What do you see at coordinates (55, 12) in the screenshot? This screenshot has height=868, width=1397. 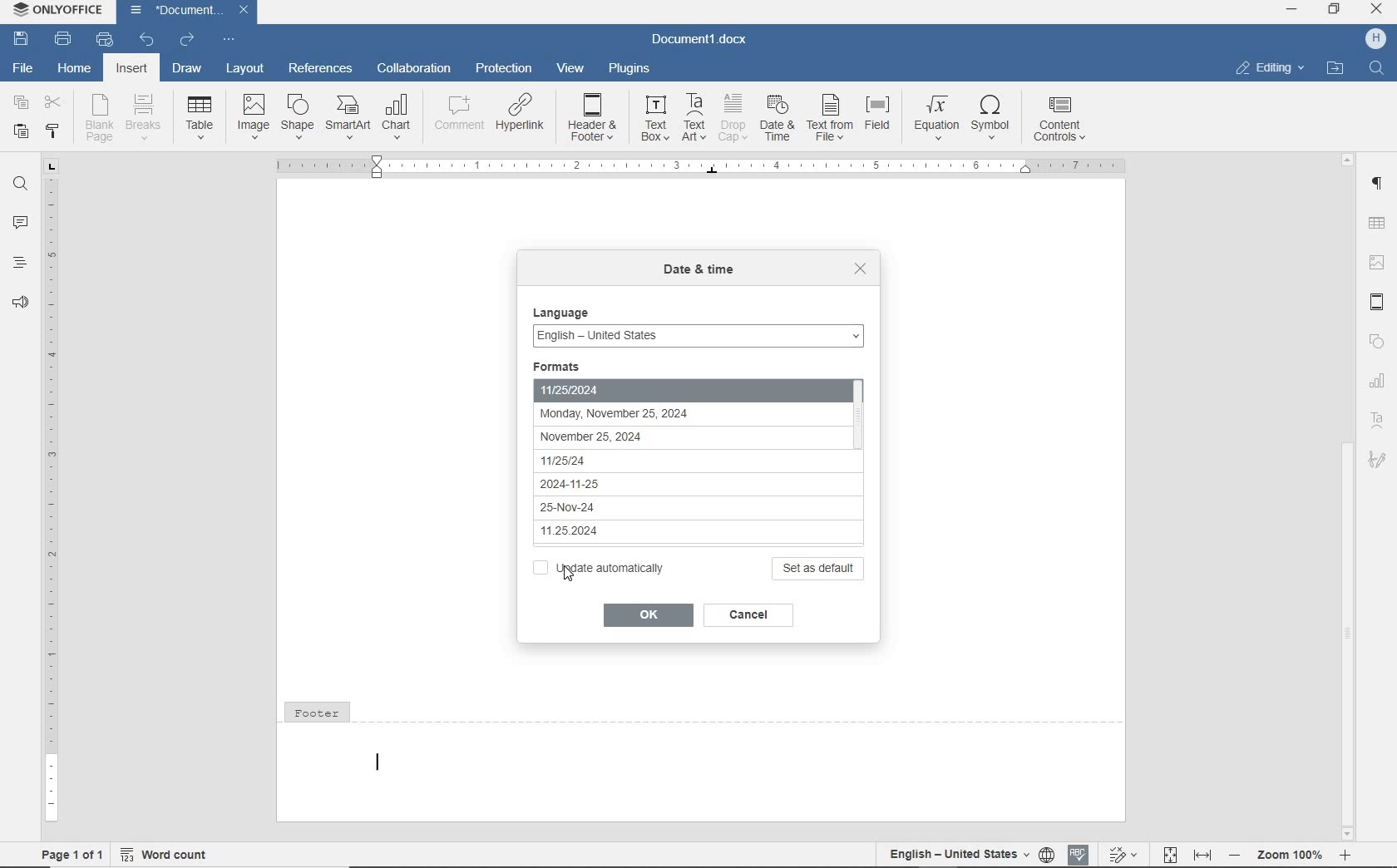 I see `ONLYOFFICE` at bounding box center [55, 12].